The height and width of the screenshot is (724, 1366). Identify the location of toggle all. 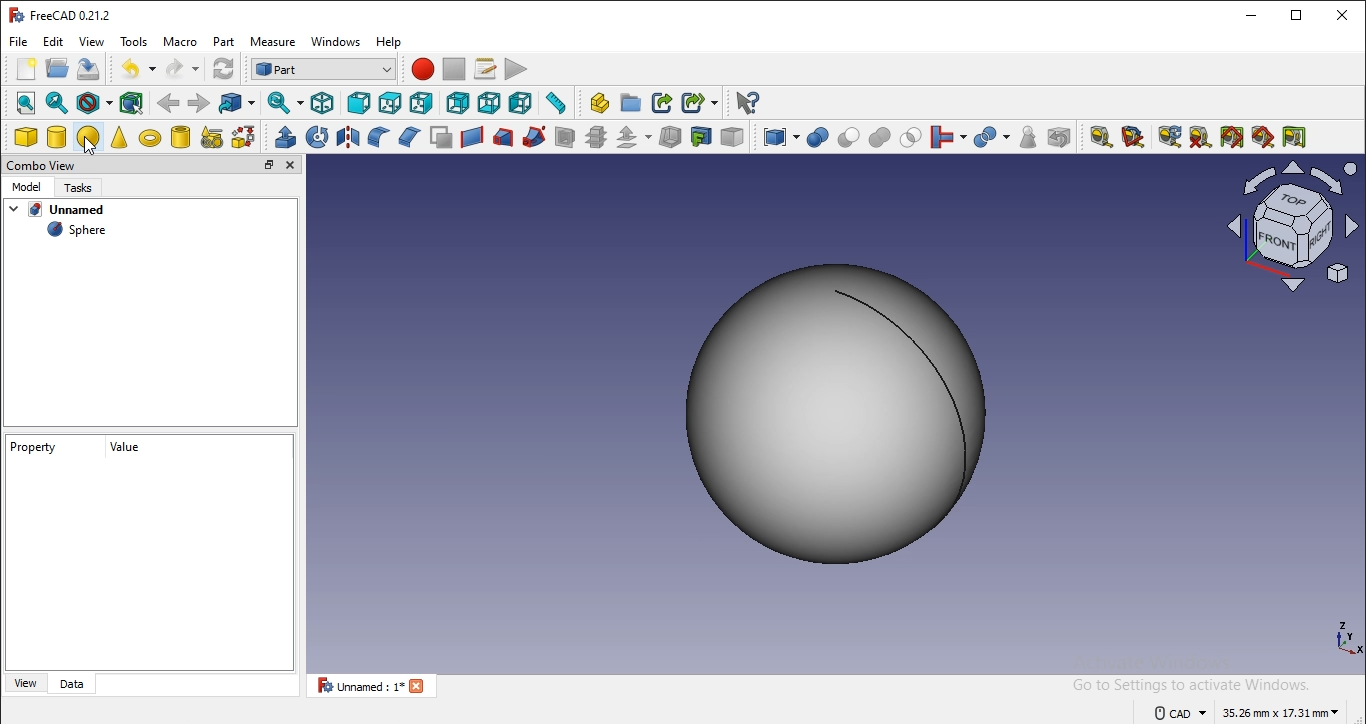
(1234, 136).